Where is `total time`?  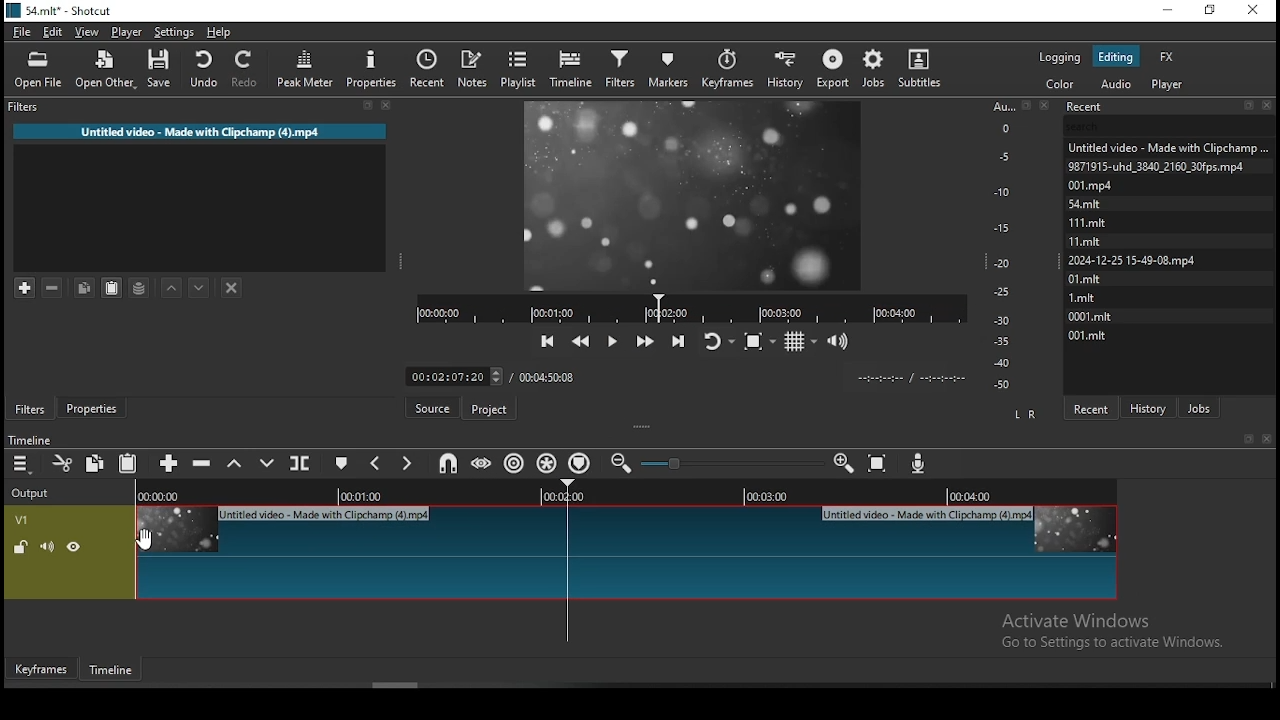 total time is located at coordinates (549, 376).